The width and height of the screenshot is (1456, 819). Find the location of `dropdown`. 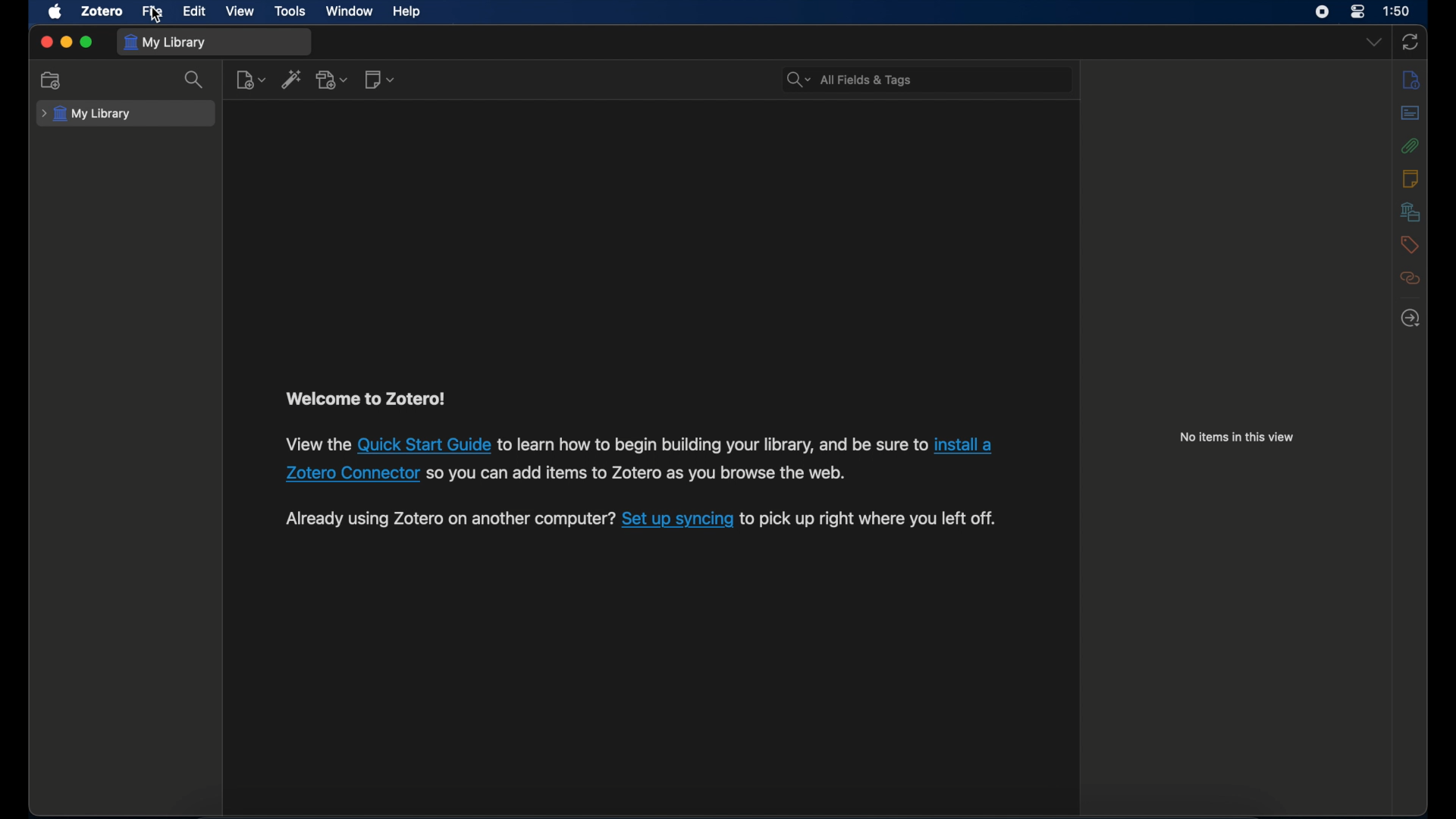

dropdown is located at coordinates (1373, 41).